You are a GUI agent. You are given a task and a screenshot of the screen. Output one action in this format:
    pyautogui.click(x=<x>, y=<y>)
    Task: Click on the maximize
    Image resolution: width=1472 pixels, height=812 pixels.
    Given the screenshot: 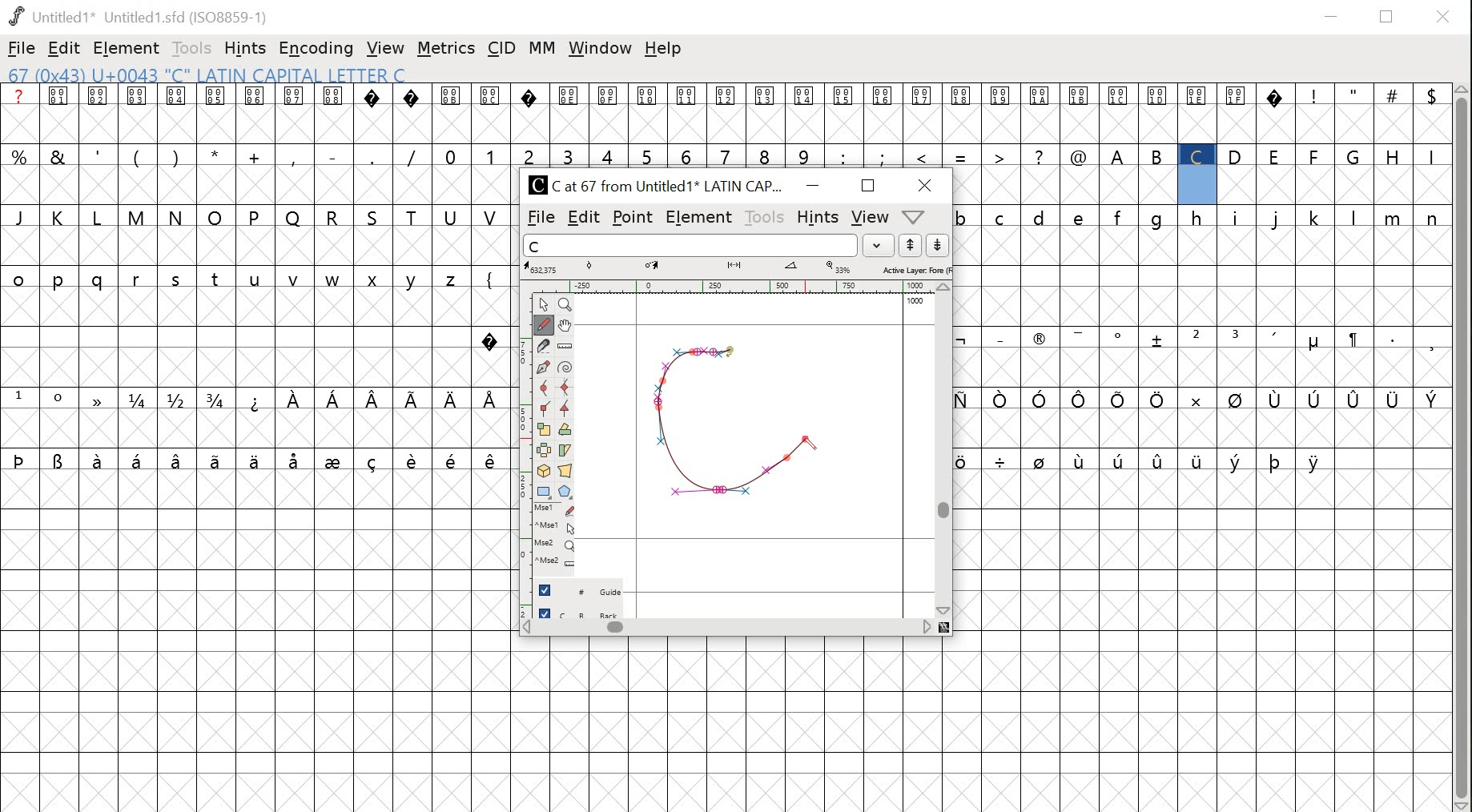 What is the action you would take?
    pyautogui.click(x=871, y=186)
    